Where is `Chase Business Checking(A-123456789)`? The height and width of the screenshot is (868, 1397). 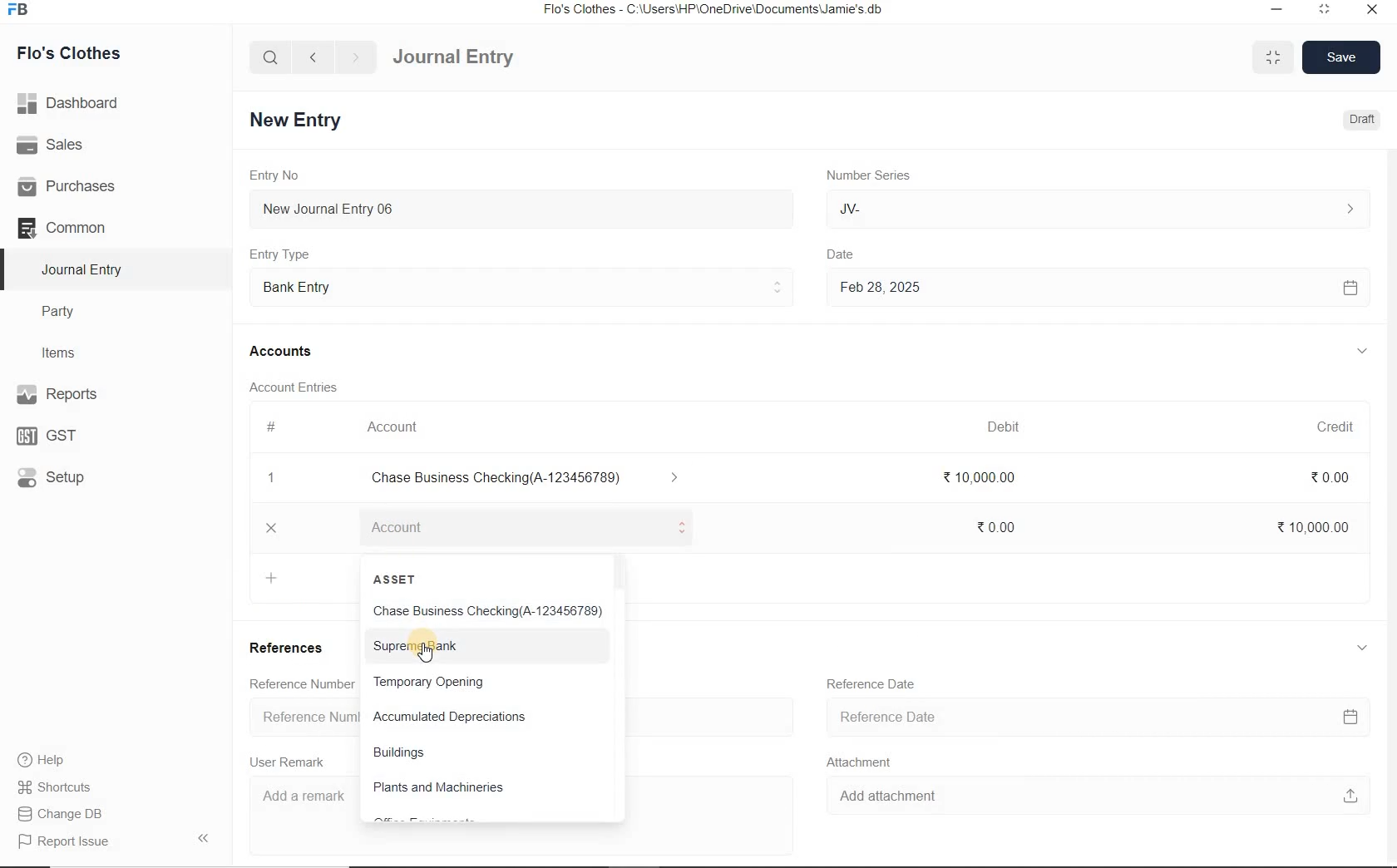 Chase Business Checking(A-123456789) is located at coordinates (486, 612).